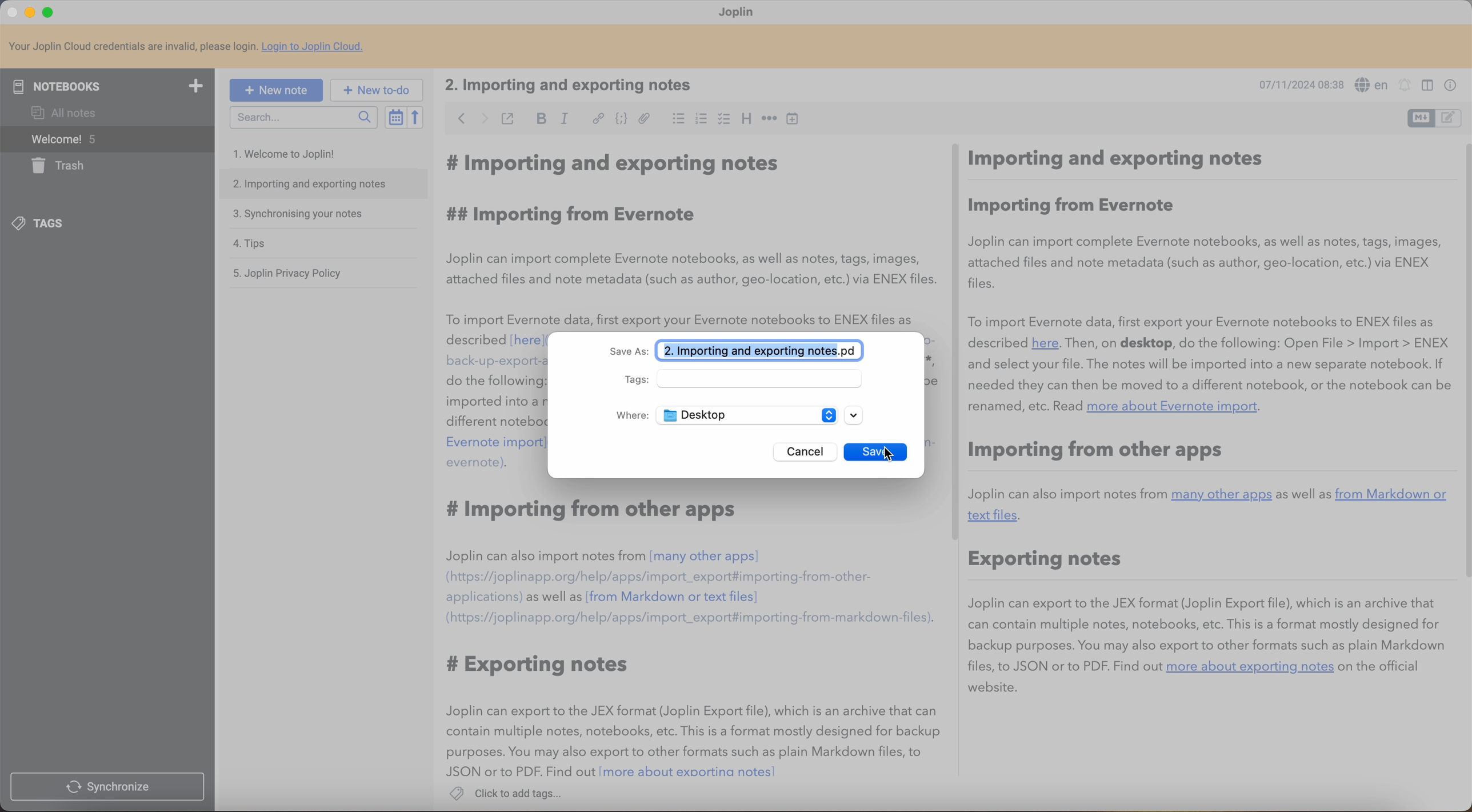 Image resolution: width=1472 pixels, height=812 pixels. Describe the element at coordinates (250, 242) in the screenshot. I see `tips` at that location.